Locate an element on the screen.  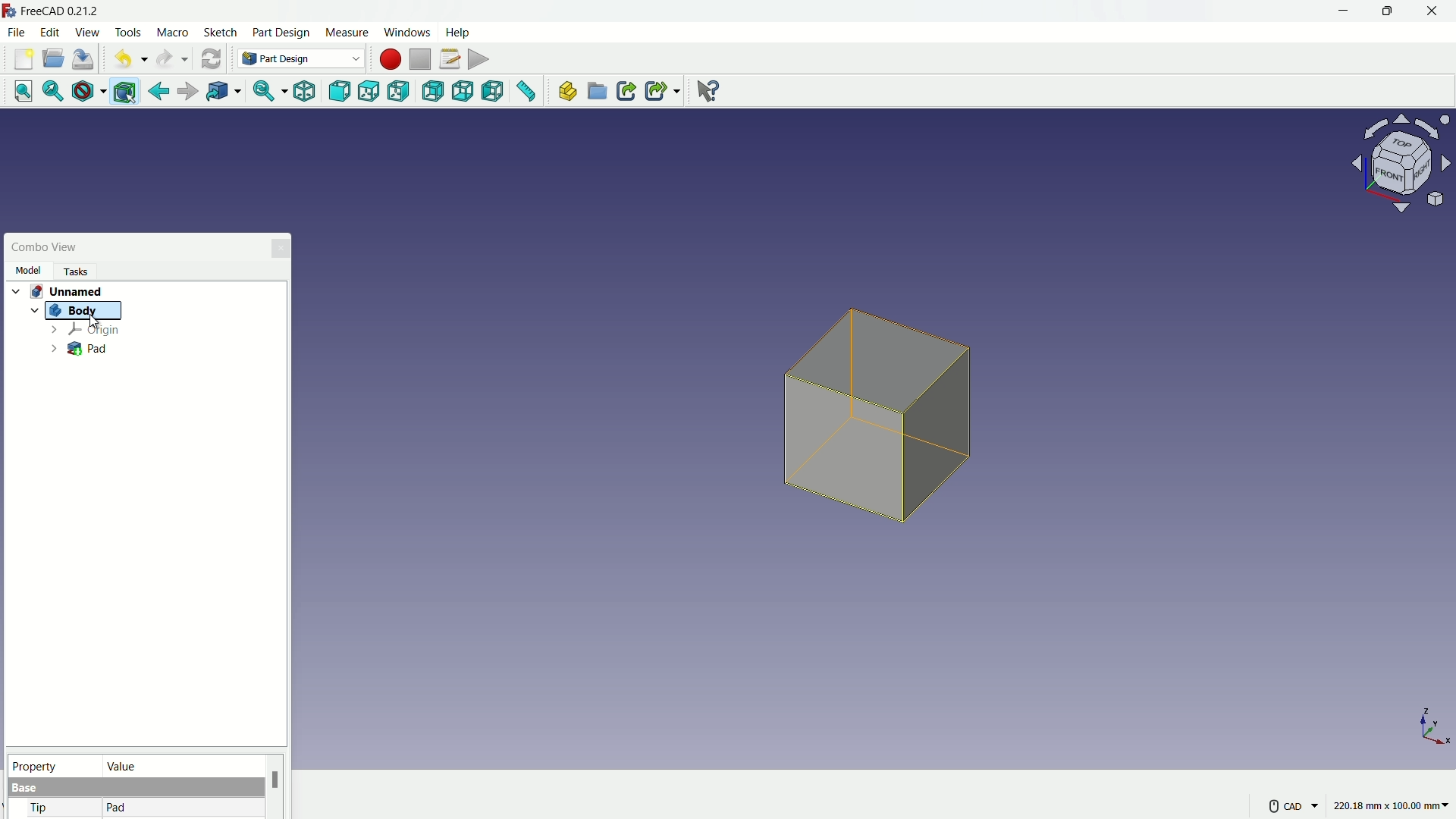
fit all is located at coordinates (18, 90).